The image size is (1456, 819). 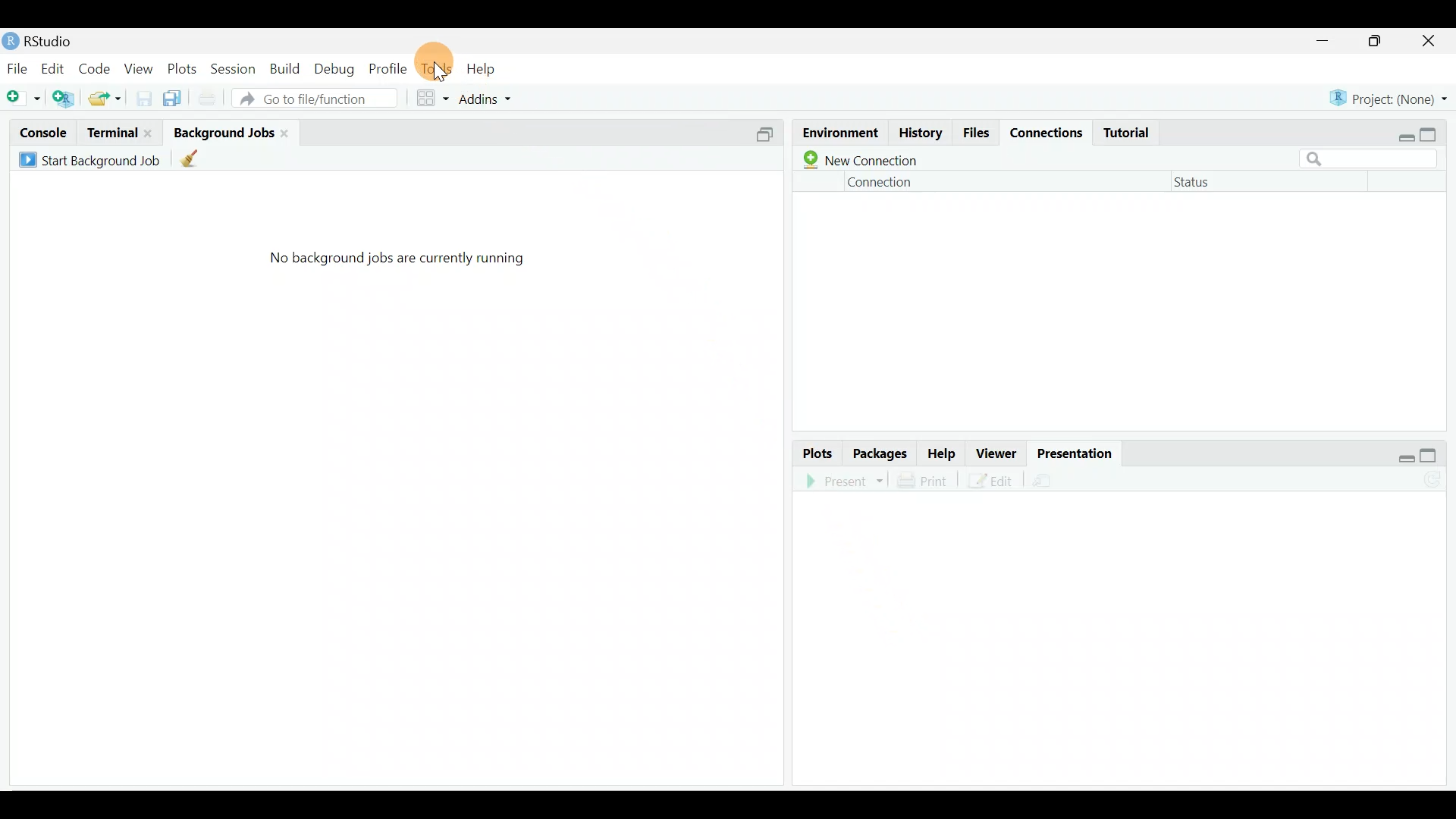 What do you see at coordinates (17, 68) in the screenshot?
I see `File` at bounding box center [17, 68].